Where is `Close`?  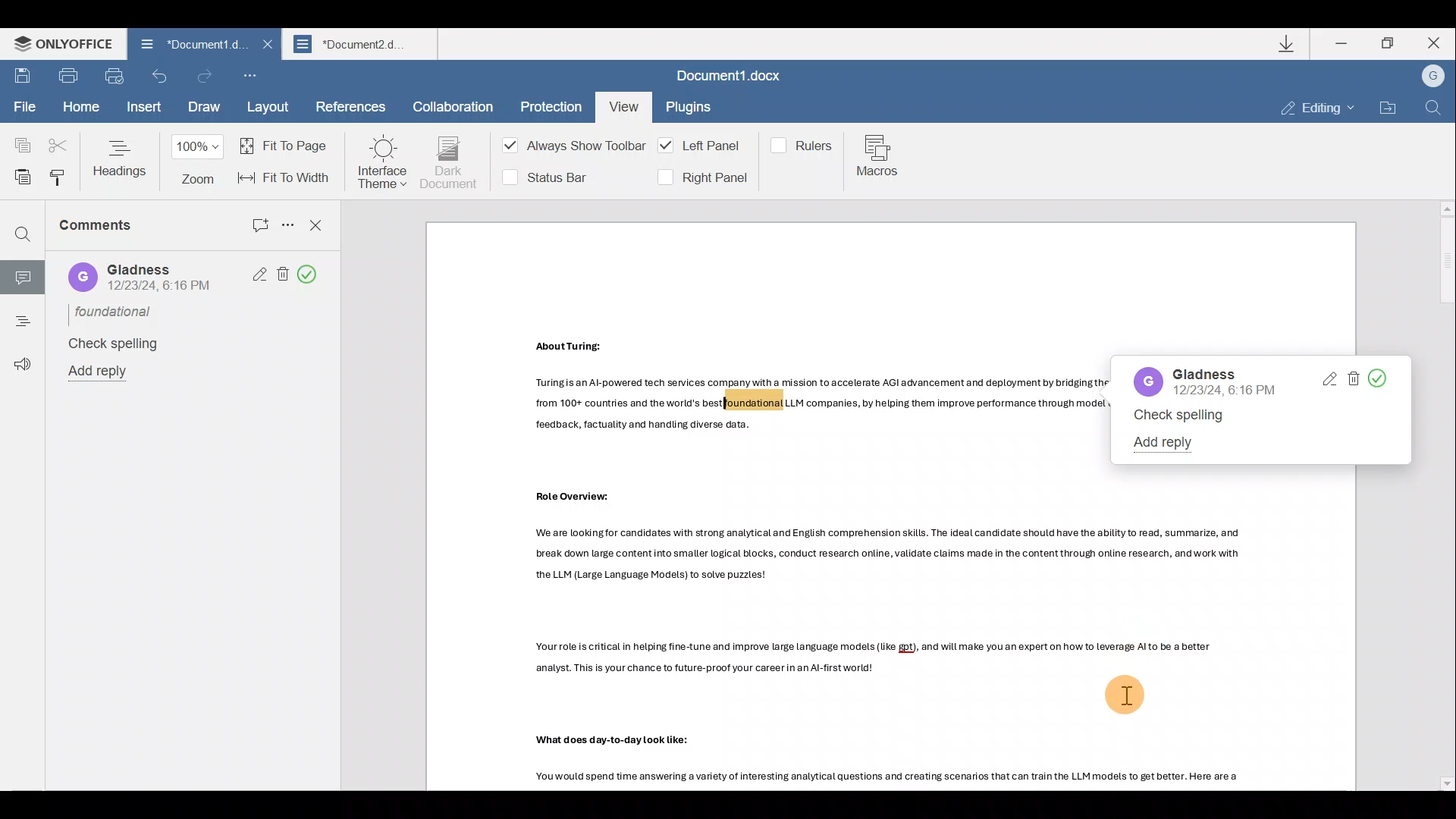 Close is located at coordinates (265, 49).